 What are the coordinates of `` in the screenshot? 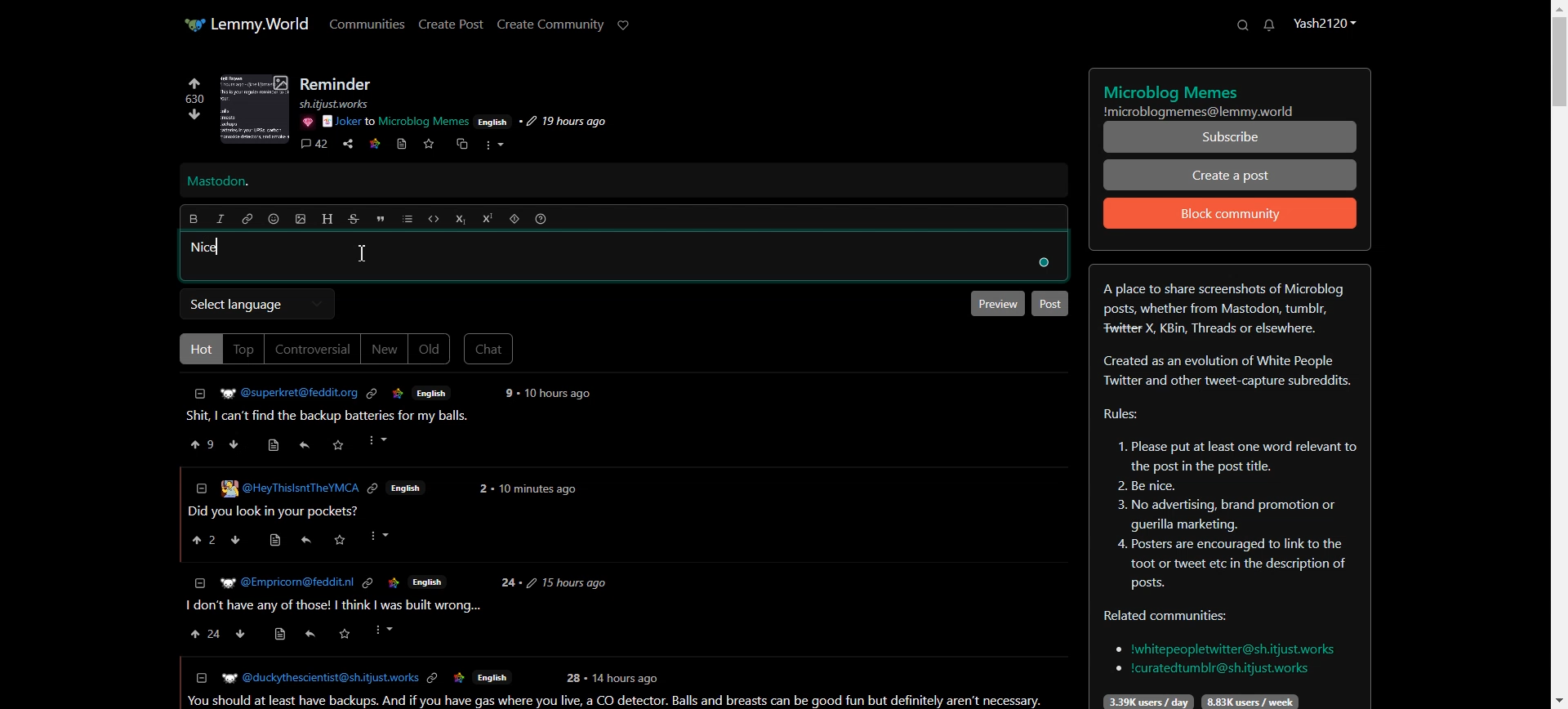 It's located at (340, 444).